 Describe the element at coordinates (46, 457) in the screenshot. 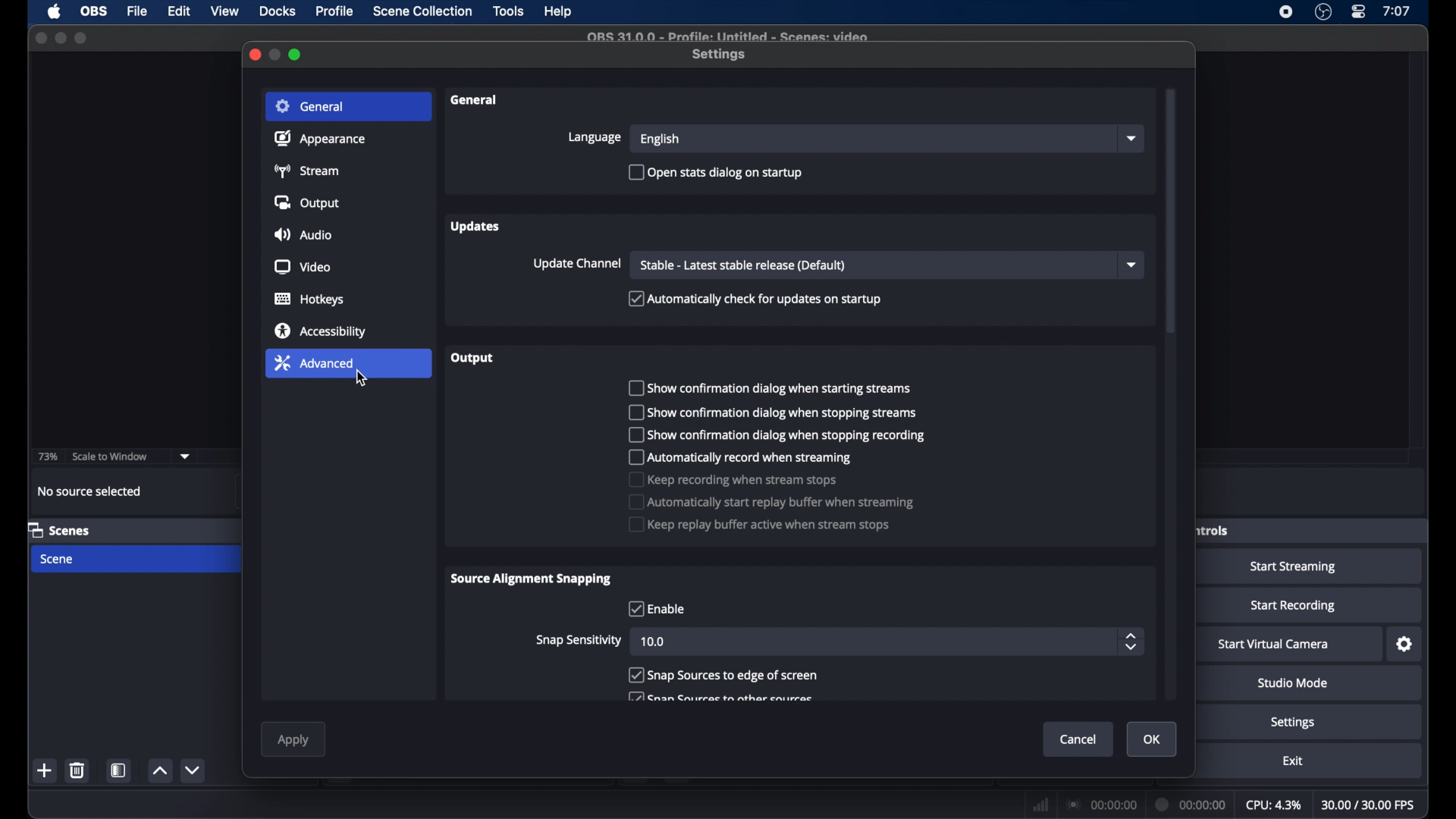

I see `73%` at that location.